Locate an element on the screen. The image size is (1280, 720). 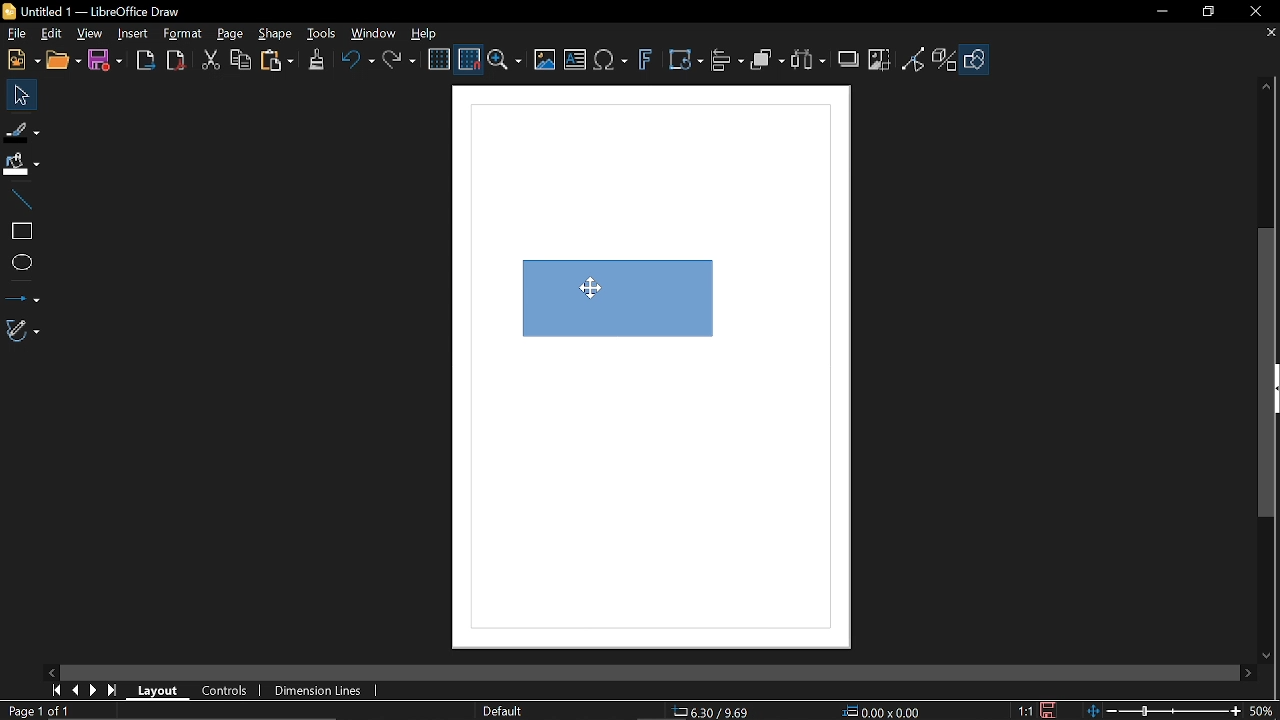
Undo is located at coordinates (355, 63).